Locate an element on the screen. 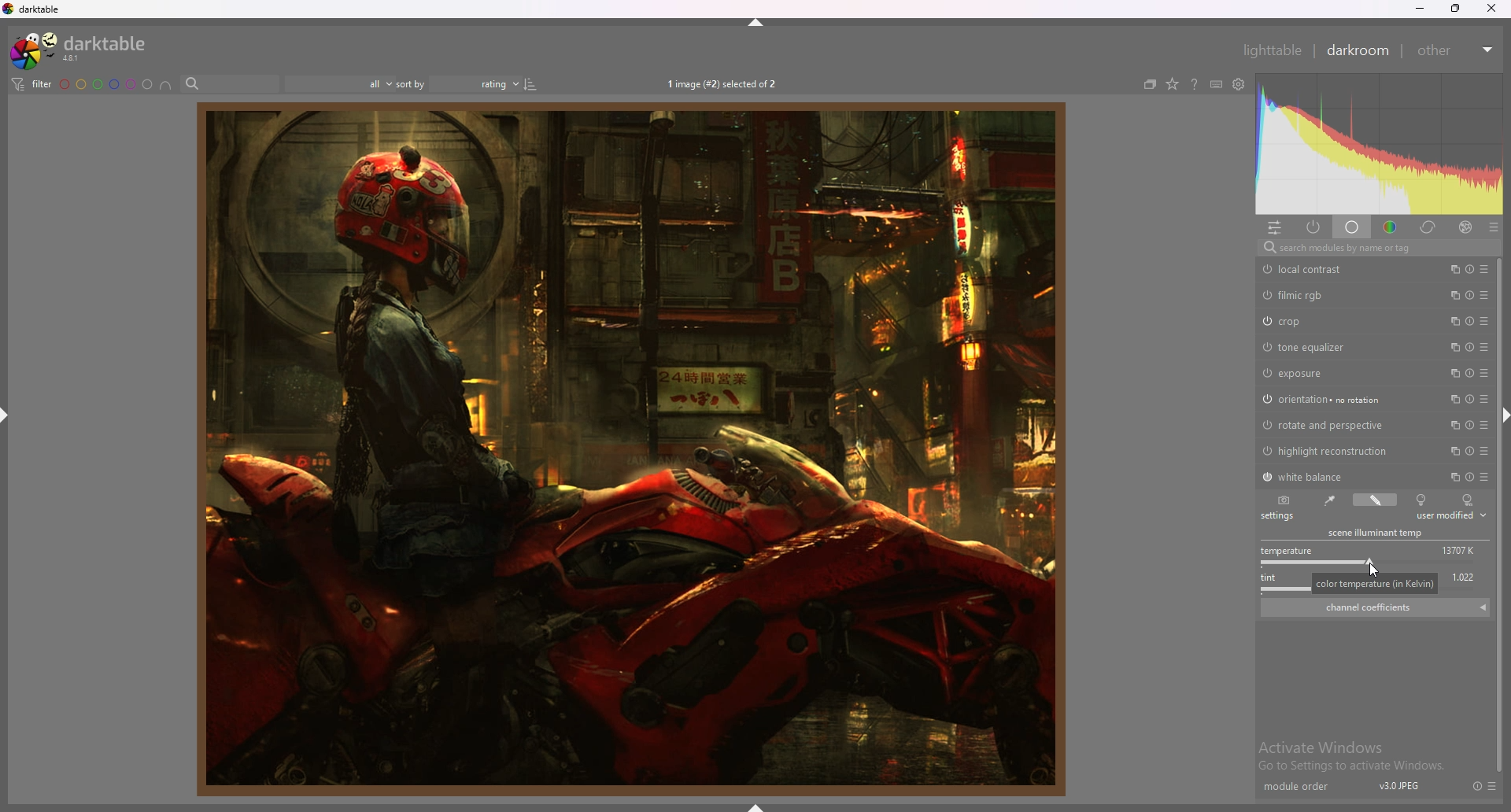  multiple instances action is located at coordinates (1452, 347).